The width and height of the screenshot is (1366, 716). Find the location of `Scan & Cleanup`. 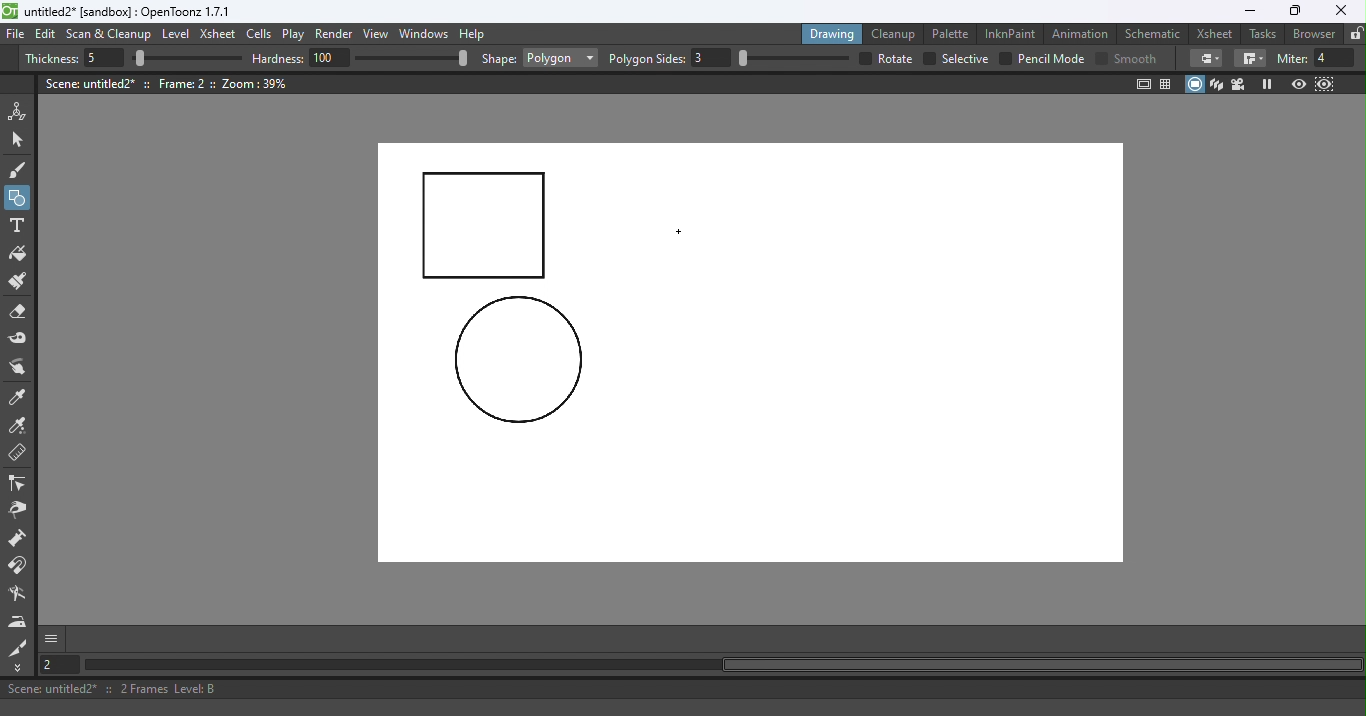

Scan & Cleanup is located at coordinates (109, 36).